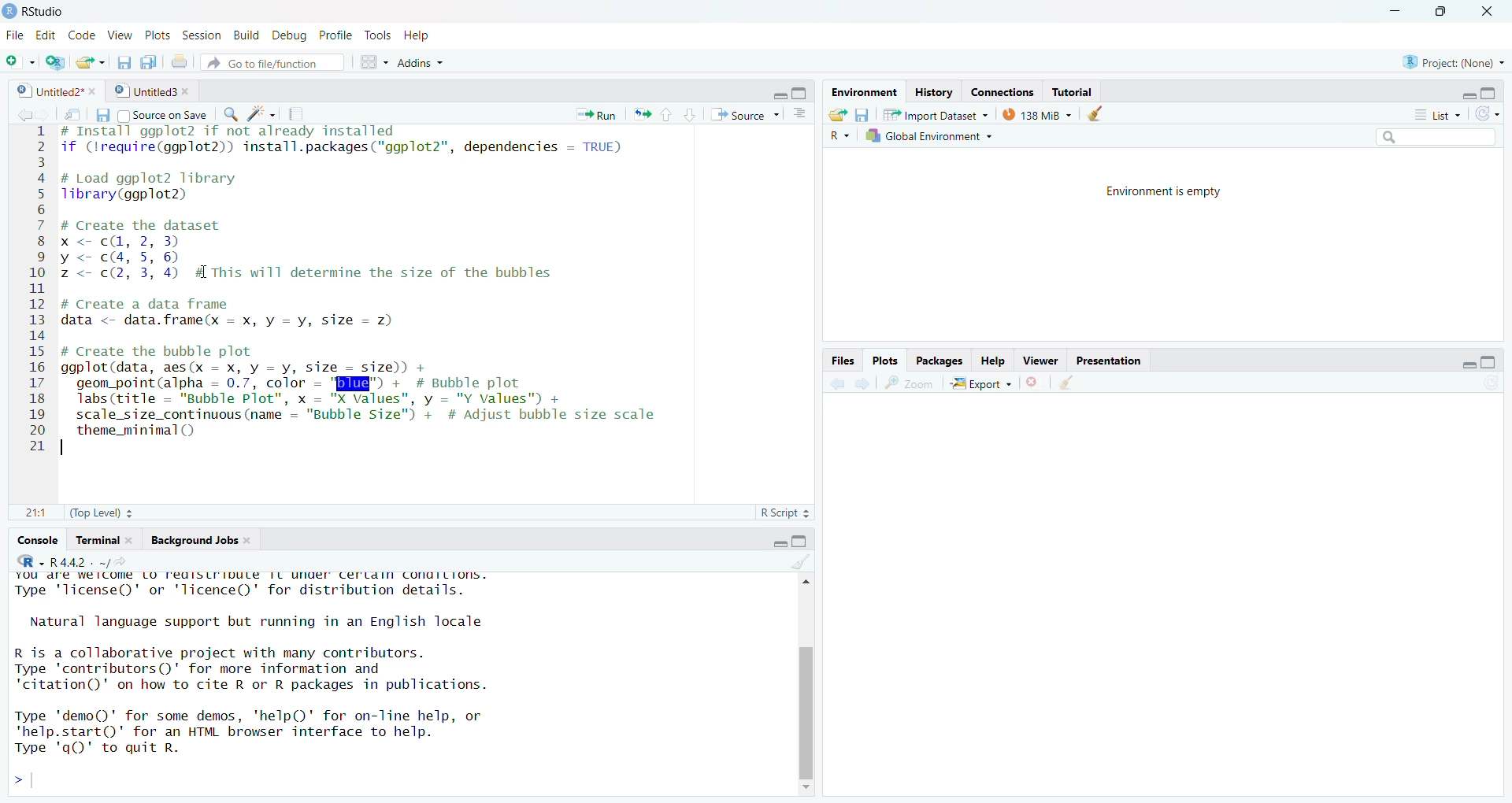  What do you see at coordinates (849, 384) in the screenshot?
I see `forward/backward` at bounding box center [849, 384].